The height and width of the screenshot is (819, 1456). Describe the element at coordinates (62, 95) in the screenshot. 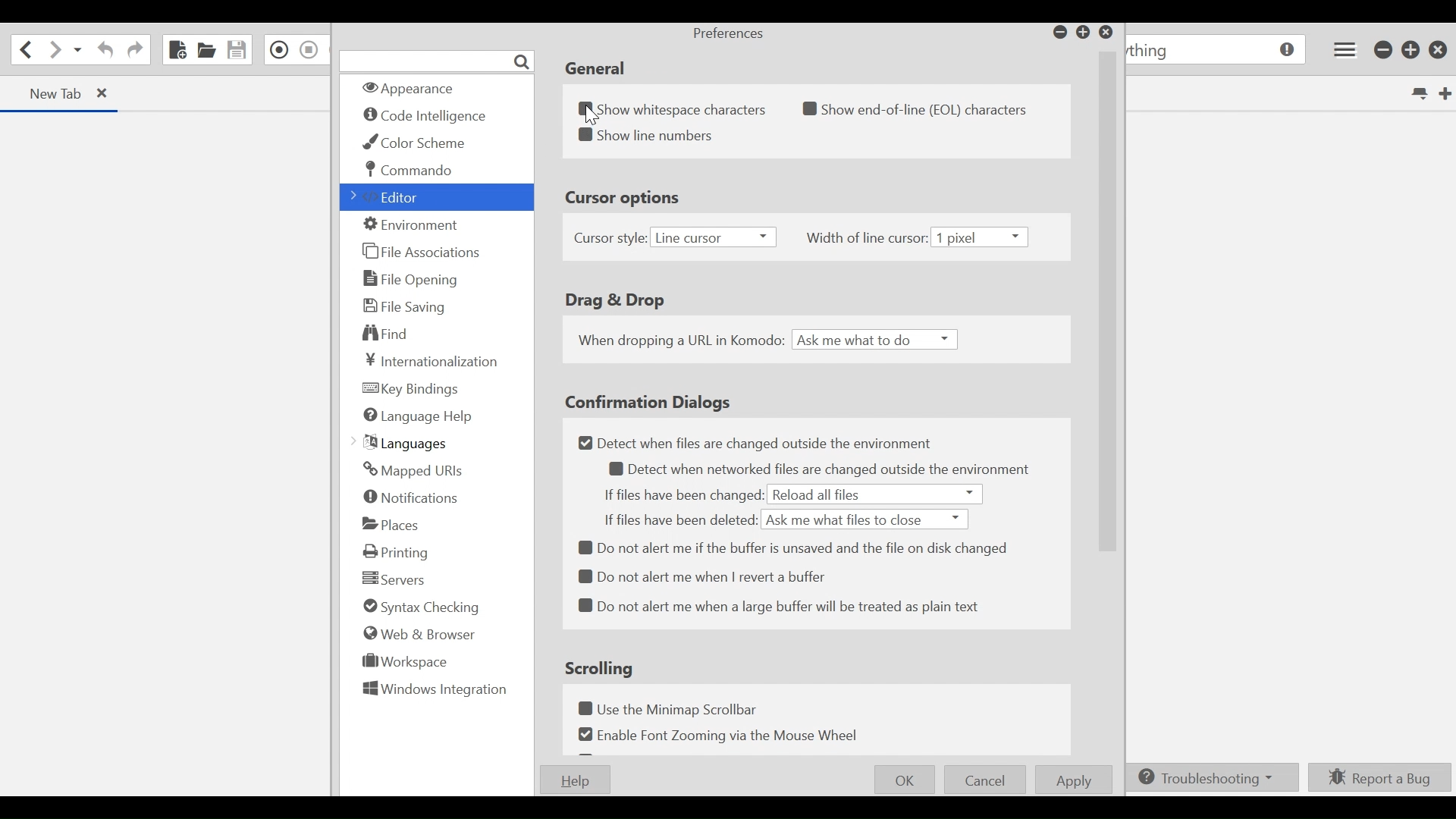

I see `Current Tab` at that location.